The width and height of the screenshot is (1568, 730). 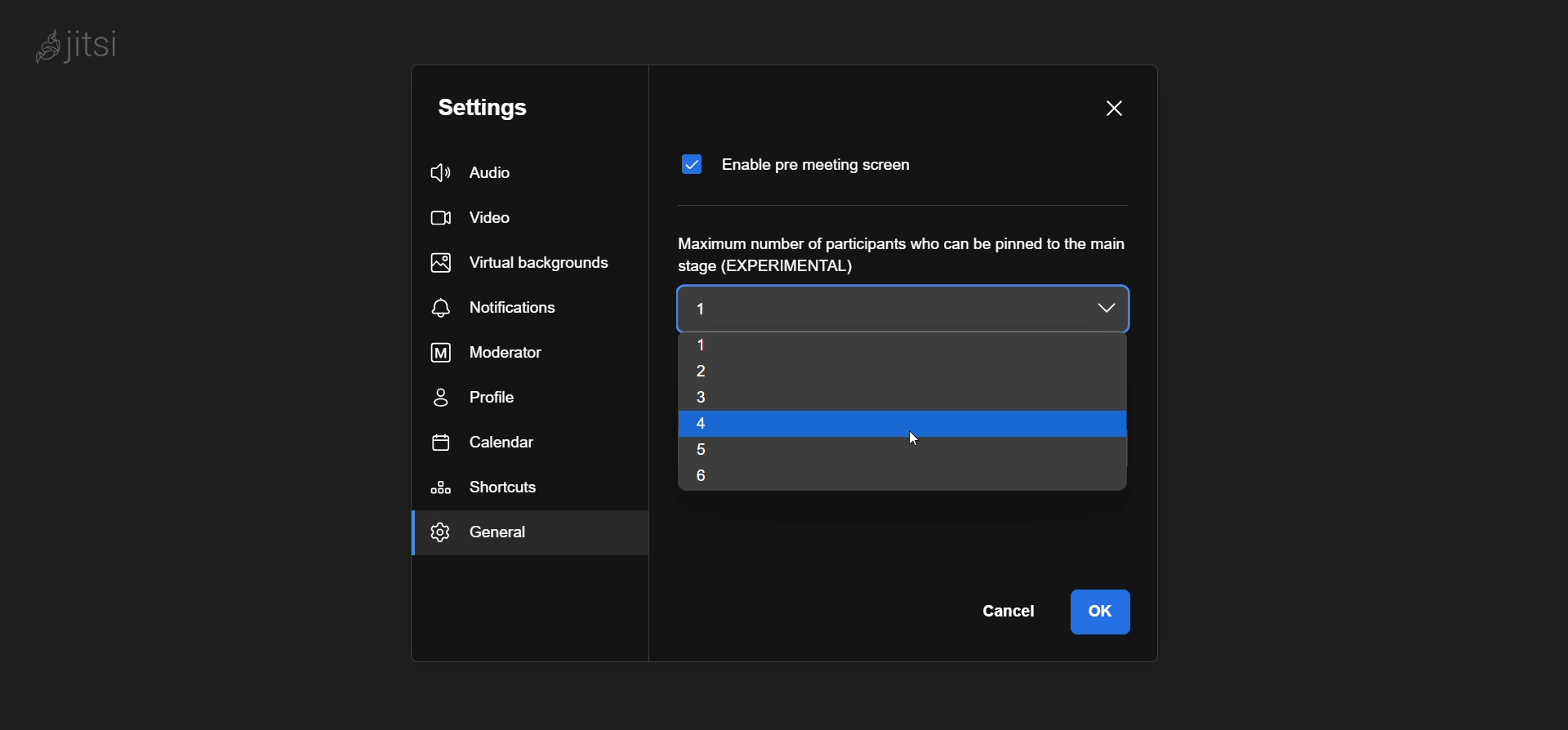 What do you see at coordinates (501, 308) in the screenshot?
I see `notification` at bounding box center [501, 308].